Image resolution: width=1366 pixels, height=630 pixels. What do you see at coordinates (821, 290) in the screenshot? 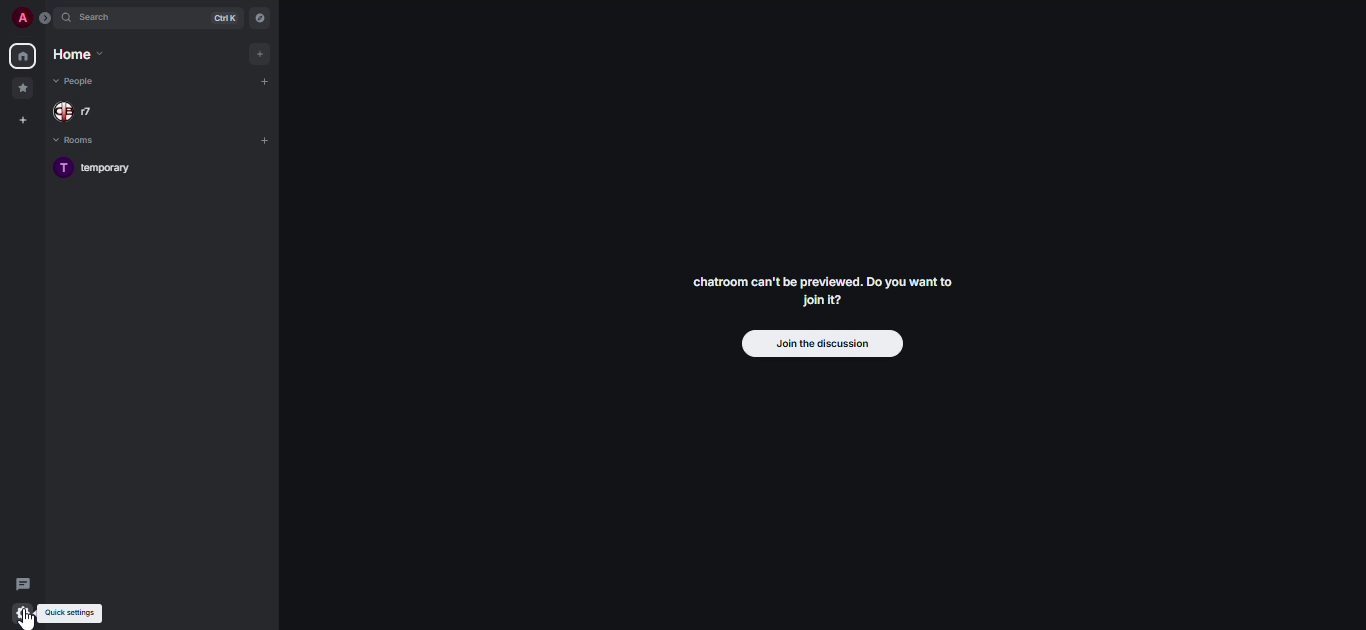
I see `chatroom can't be previewed. Join it?` at bounding box center [821, 290].